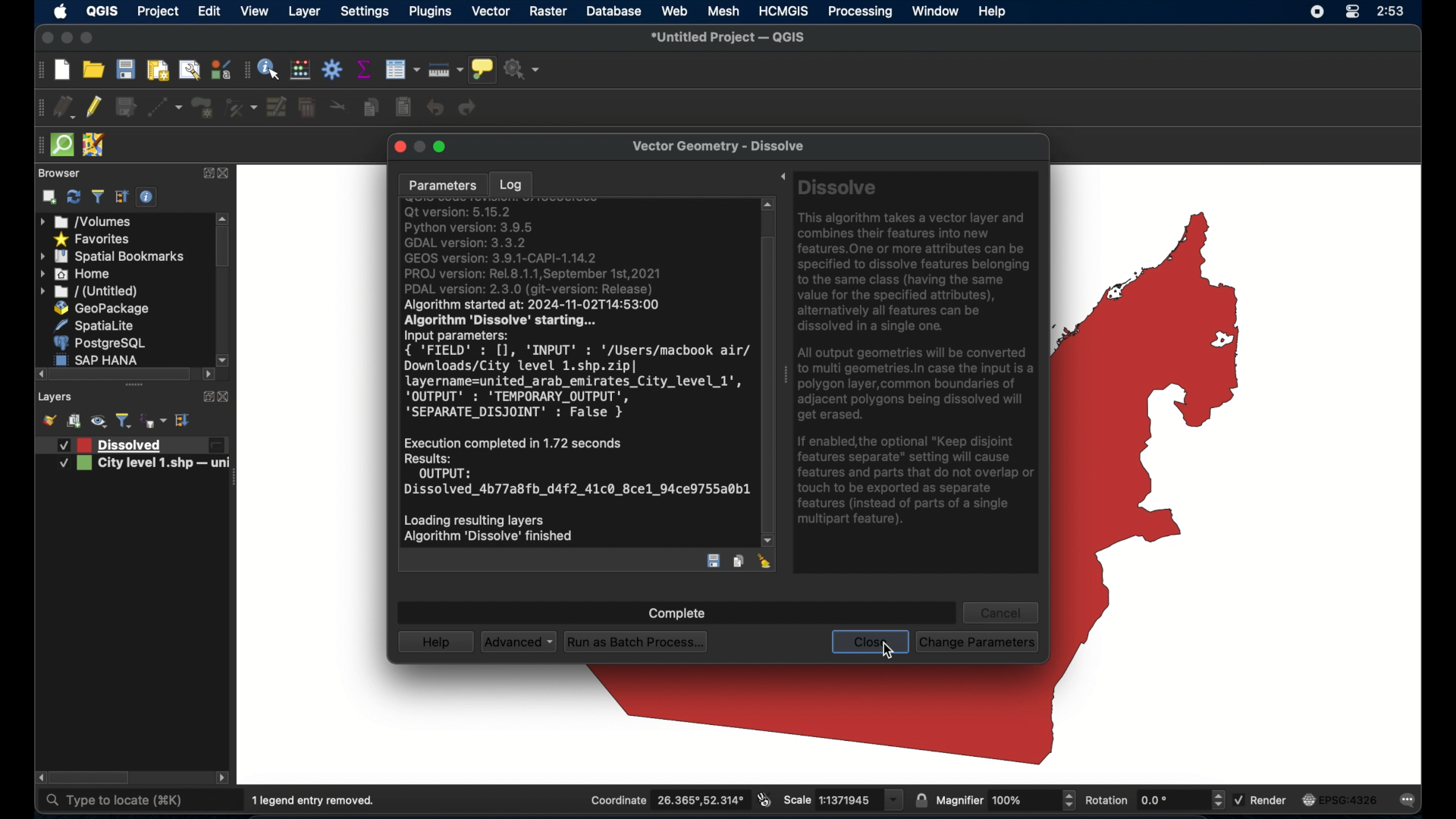  I want to click on plugins, so click(430, 12).